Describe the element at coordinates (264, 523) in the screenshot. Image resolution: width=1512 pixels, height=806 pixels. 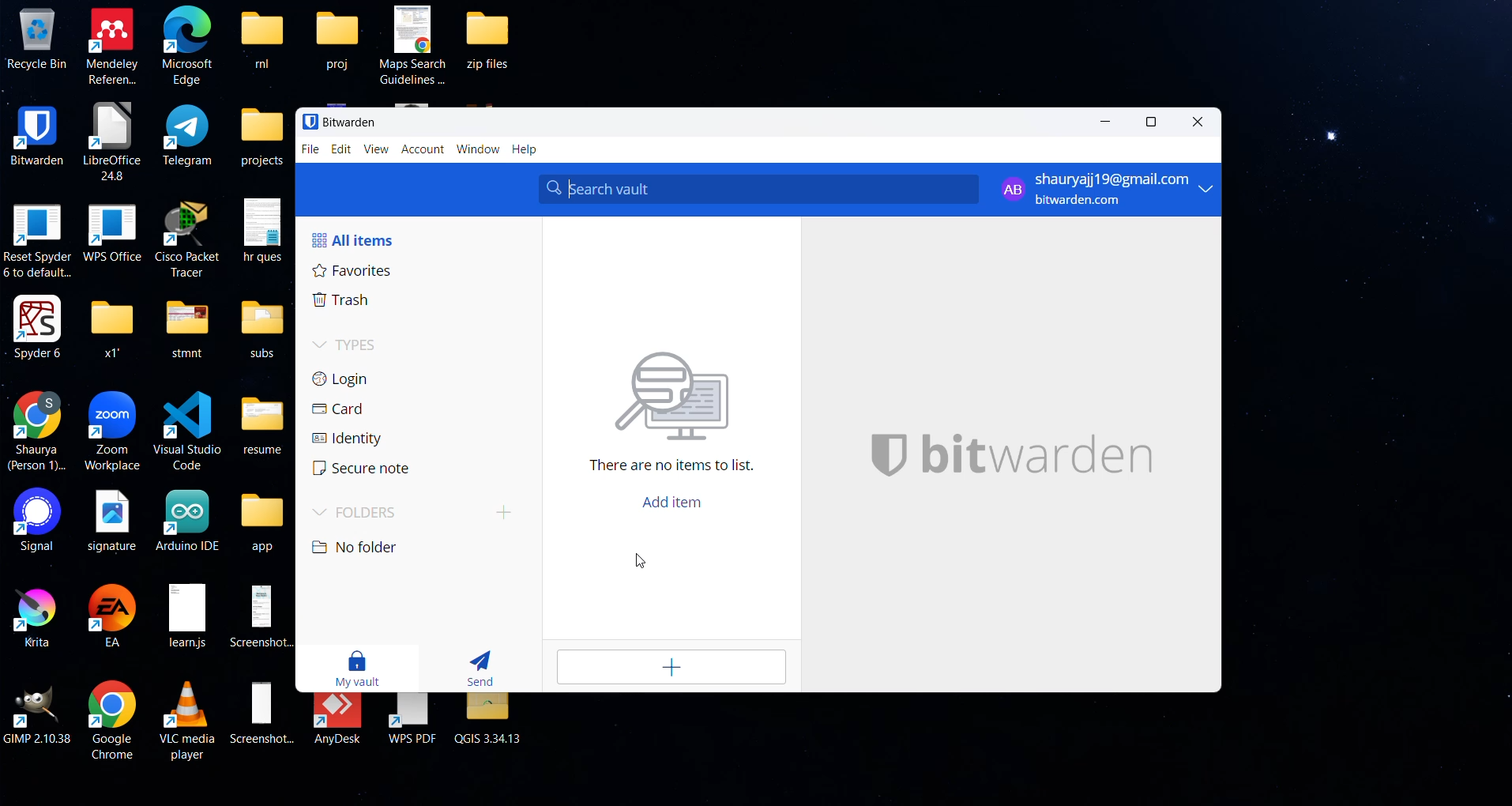
I see `app` at that location.